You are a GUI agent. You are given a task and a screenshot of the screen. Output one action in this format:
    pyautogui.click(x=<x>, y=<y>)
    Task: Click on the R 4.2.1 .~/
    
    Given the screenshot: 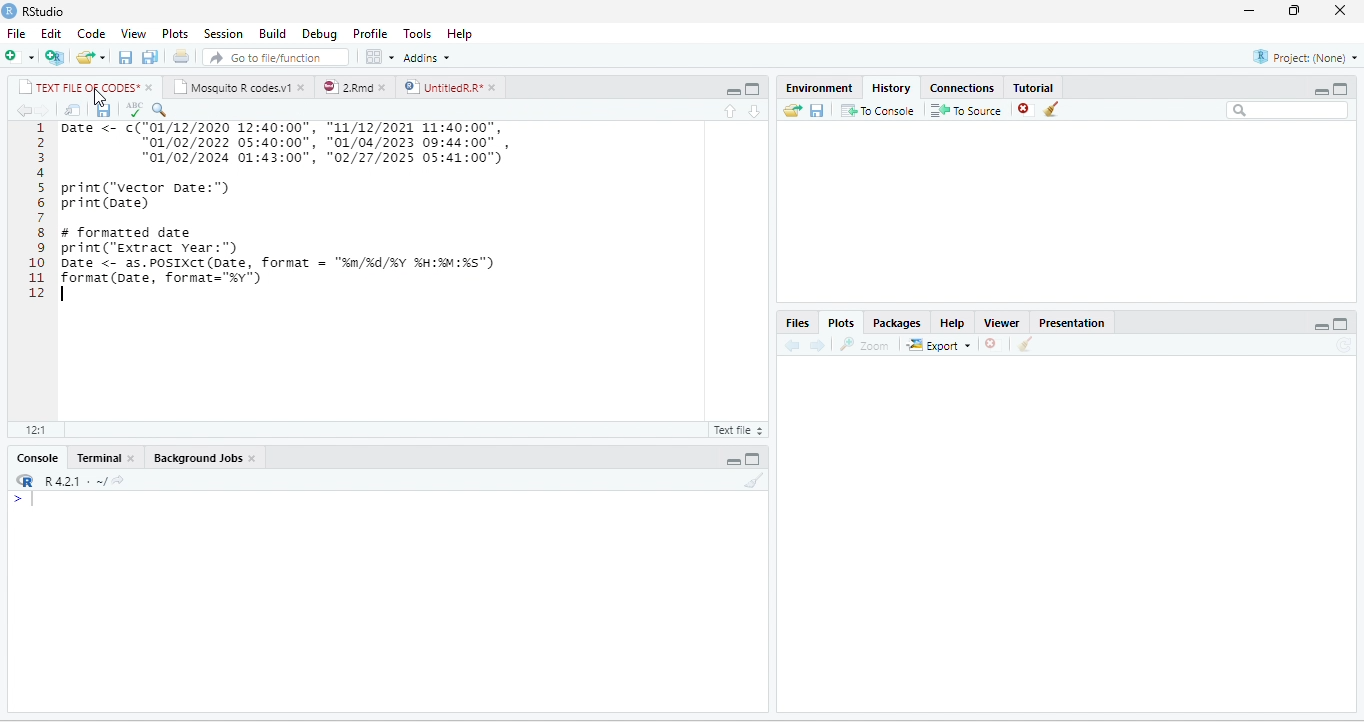 What is the action you would take?
    pyautogui.click(x=71, y=481)
    